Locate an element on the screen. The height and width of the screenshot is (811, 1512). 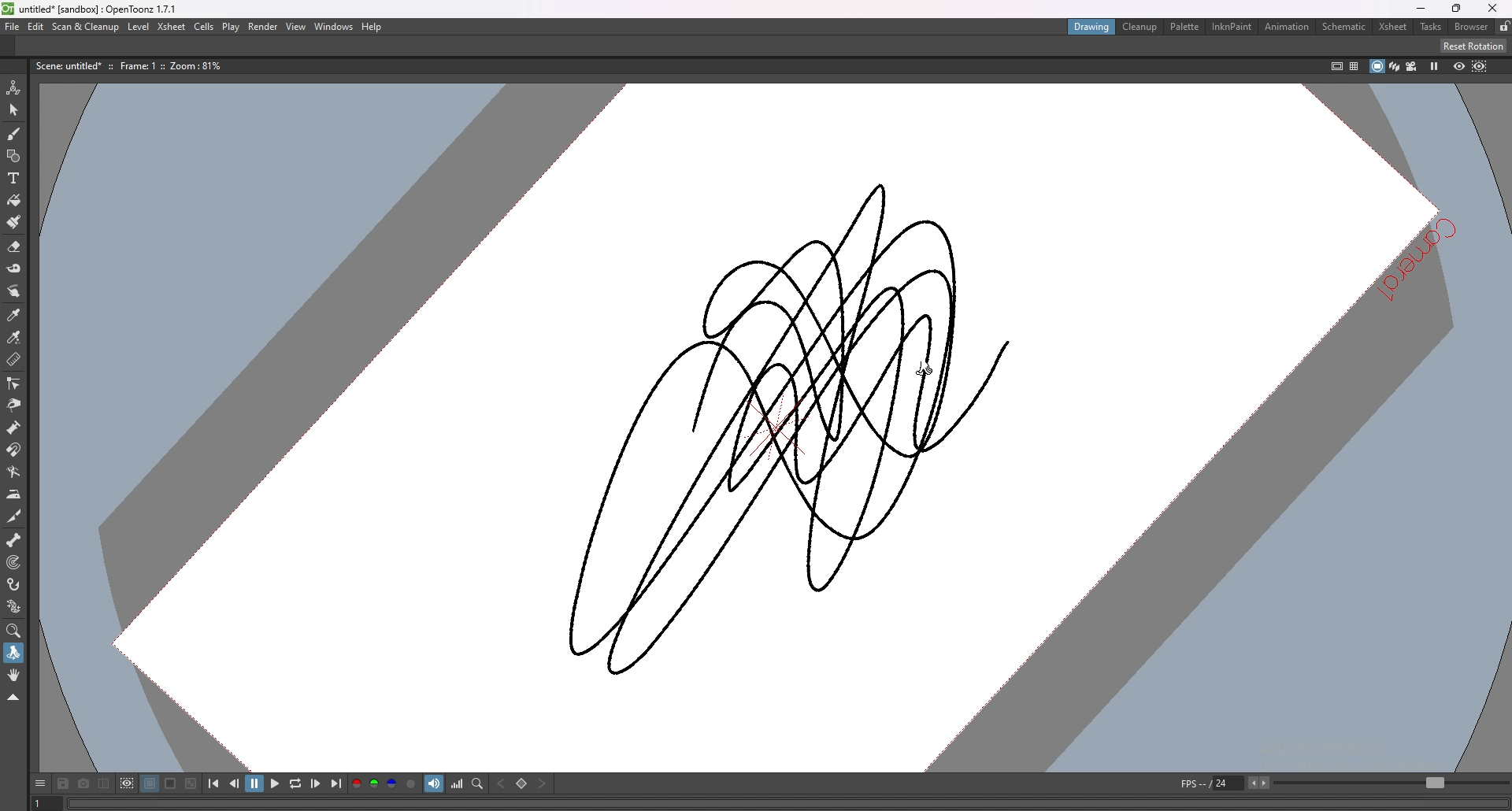
scan and cleanup is located at coordinates (85, 27).